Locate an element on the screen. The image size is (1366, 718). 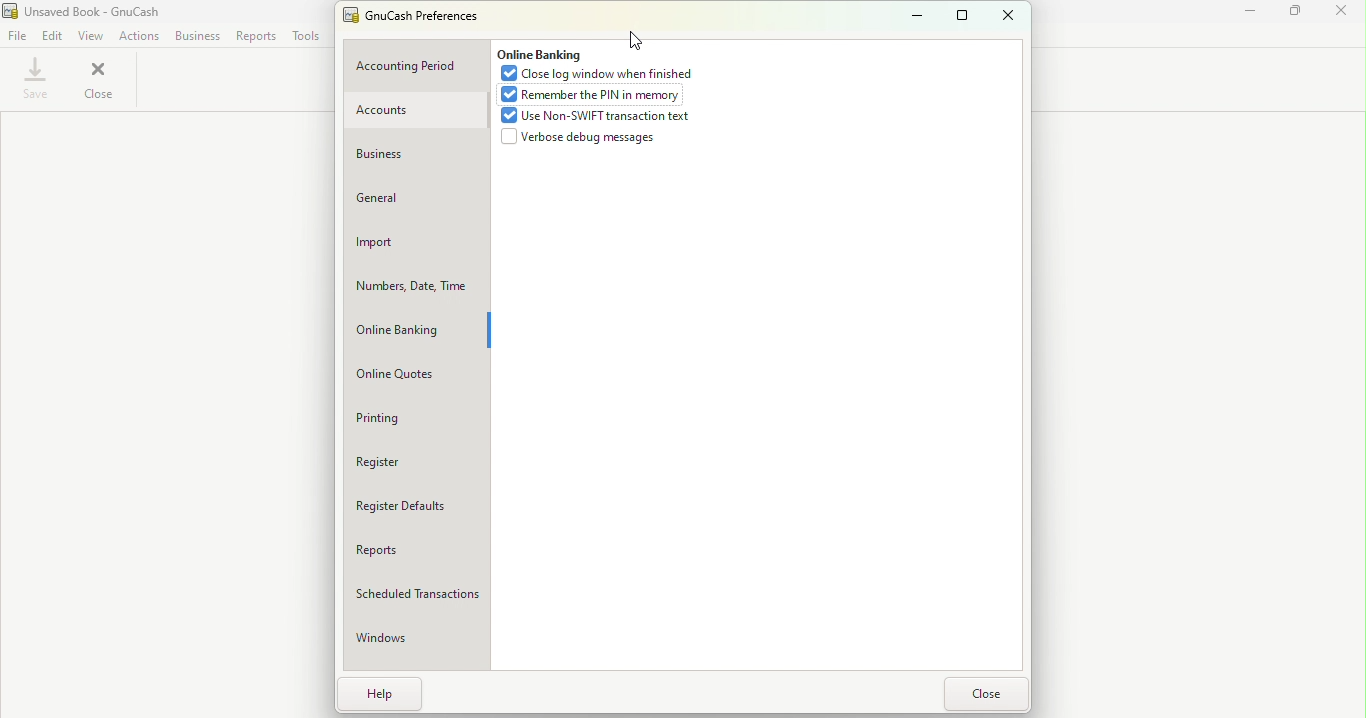
Reports is located at coordinates (256, 39).